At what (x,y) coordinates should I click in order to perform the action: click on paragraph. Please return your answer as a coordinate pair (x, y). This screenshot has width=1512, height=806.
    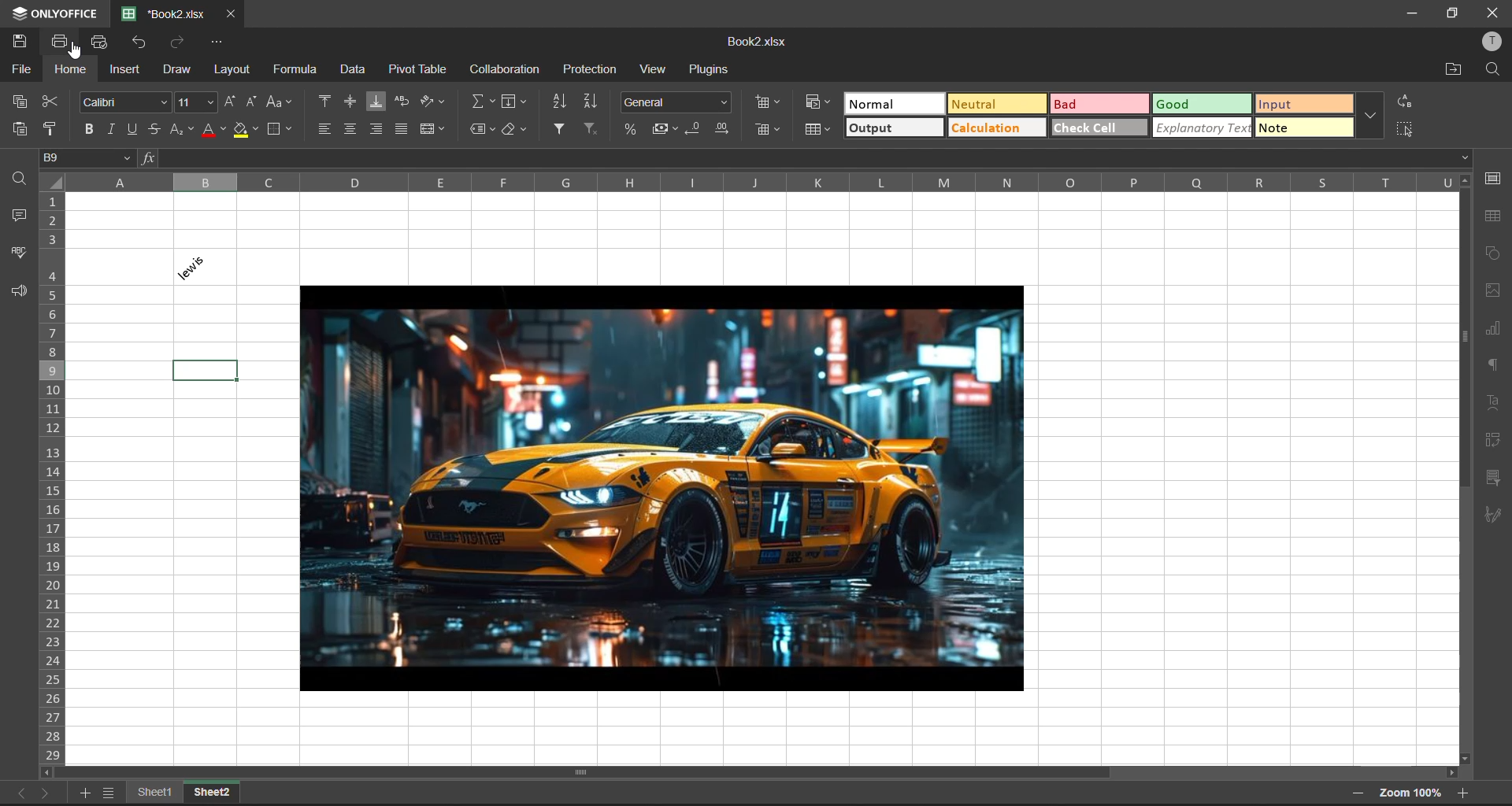
    Looking at the image, I should click on (1491, 365).